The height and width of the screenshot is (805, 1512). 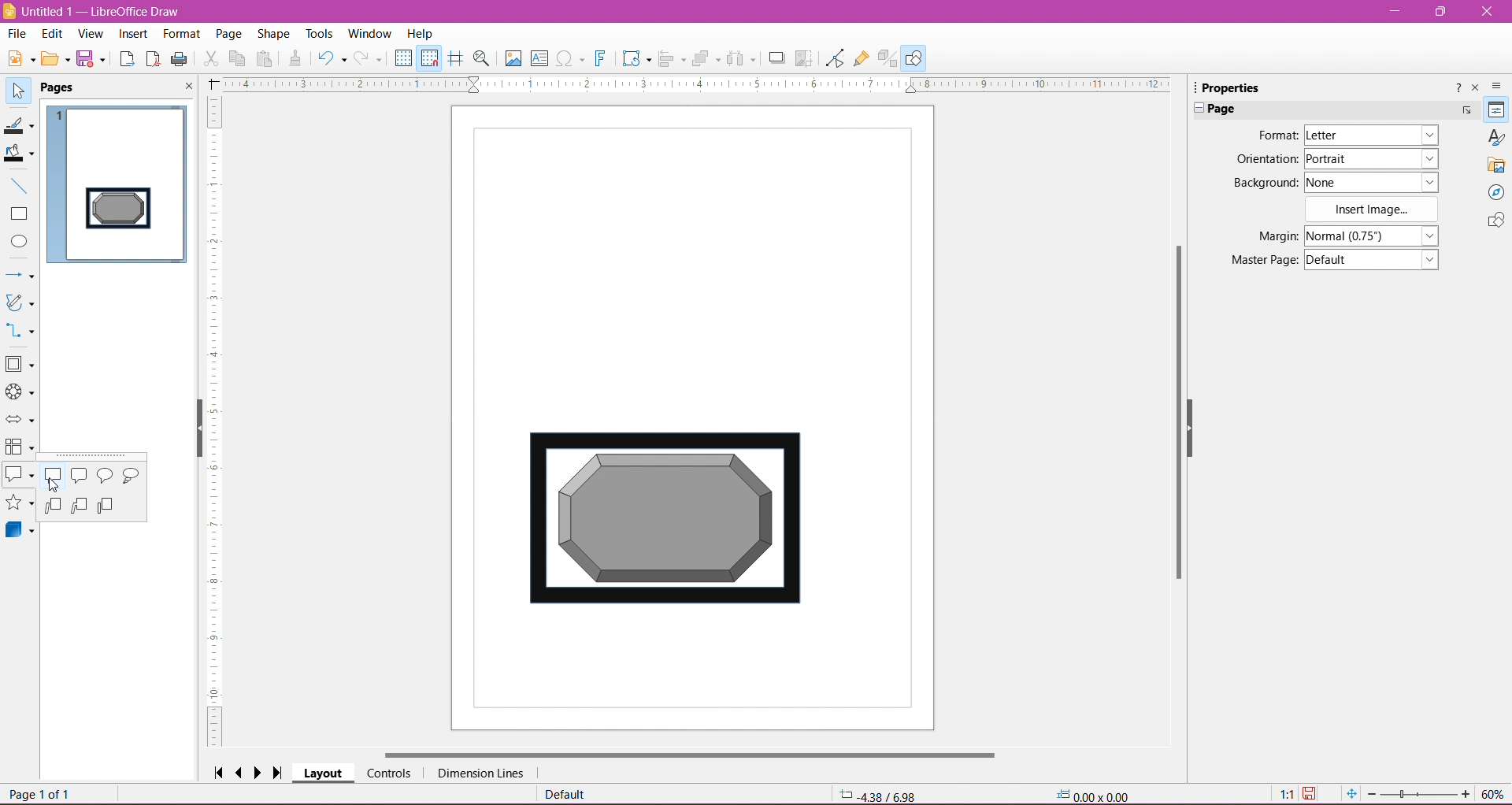 I want to click on Curves and Polygons, so click(x=20, y=303).